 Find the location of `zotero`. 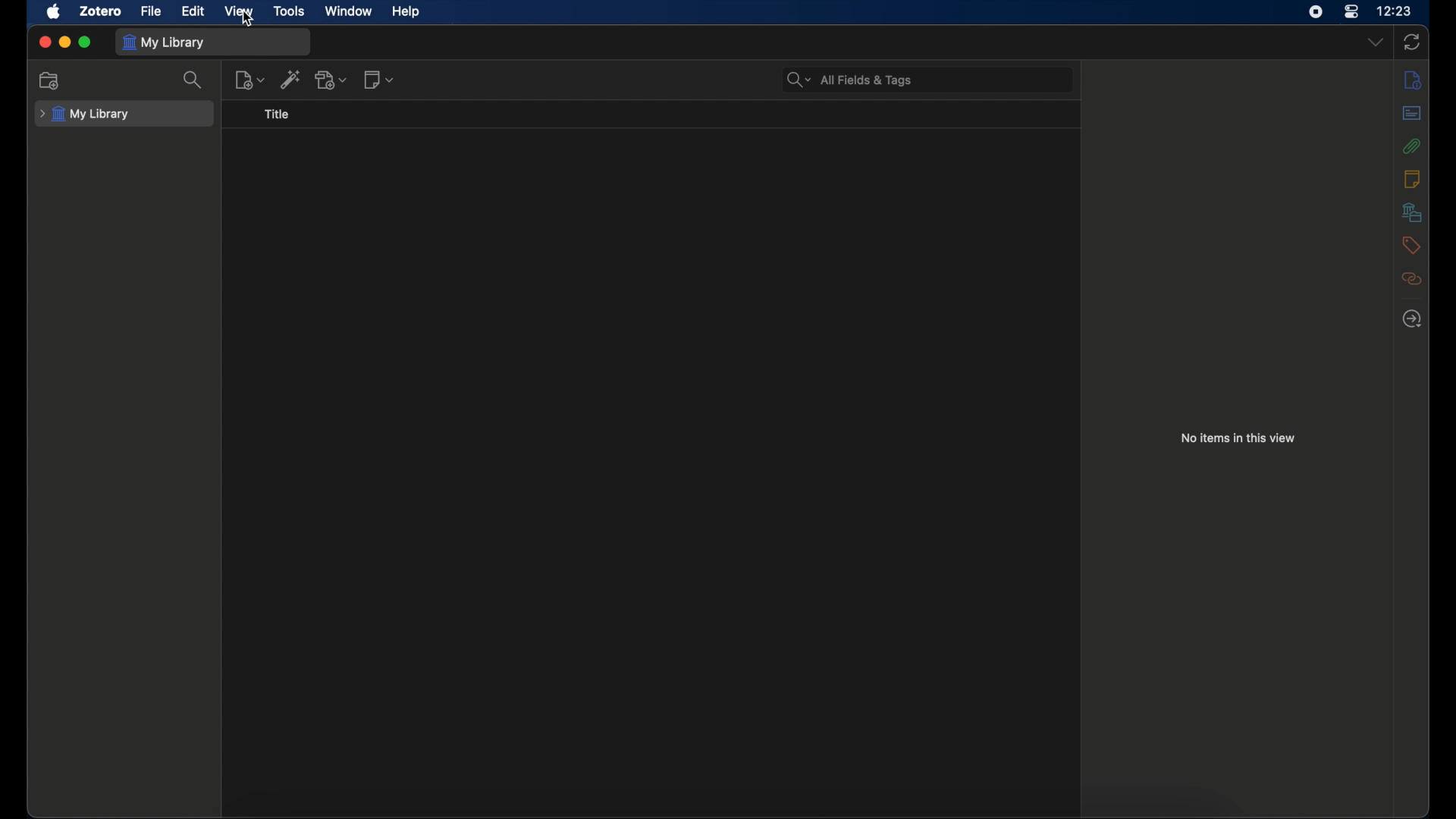

zotero is located at coordinates (102, 12).